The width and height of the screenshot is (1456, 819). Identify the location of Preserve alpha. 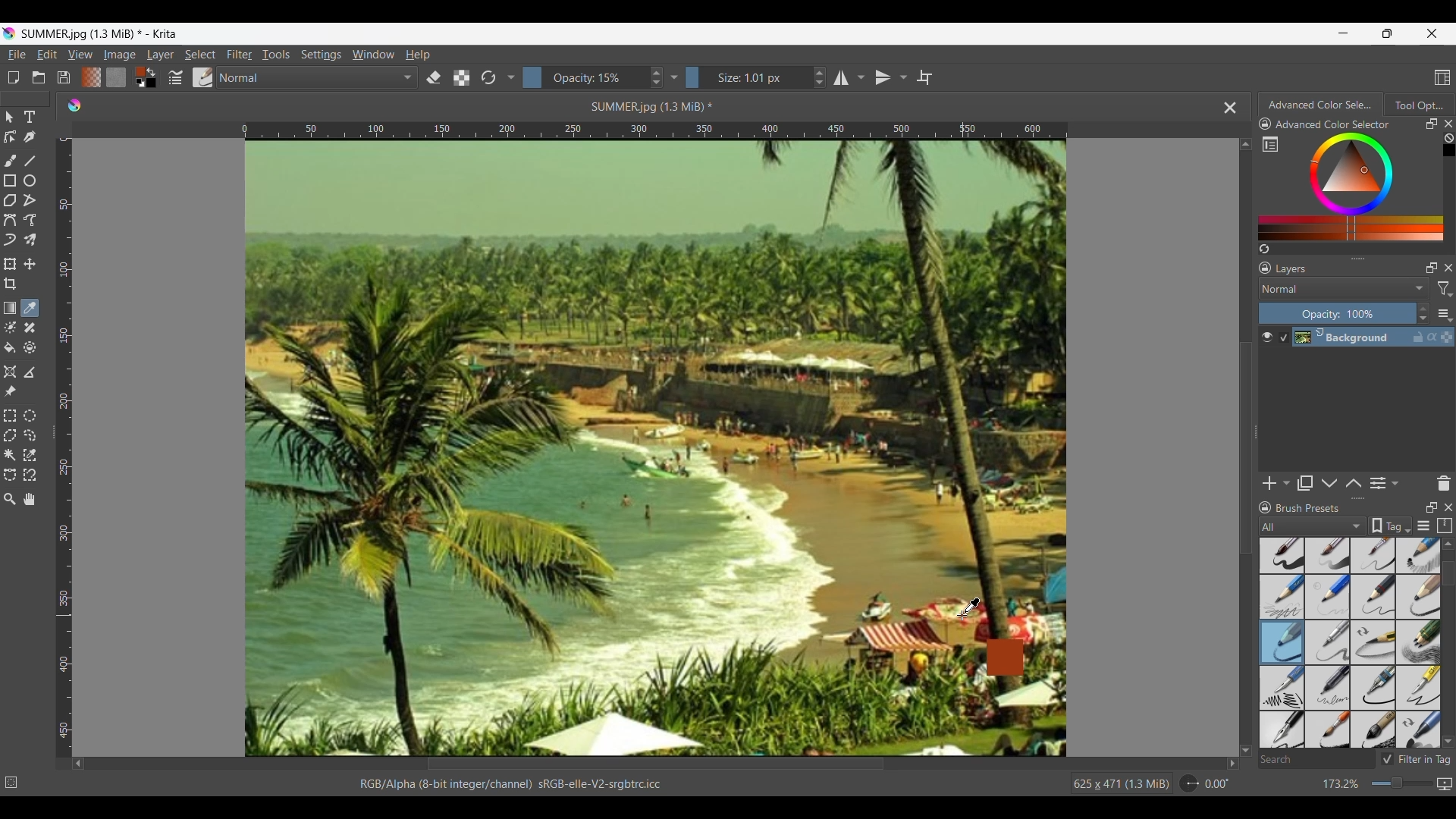
(461, 78).